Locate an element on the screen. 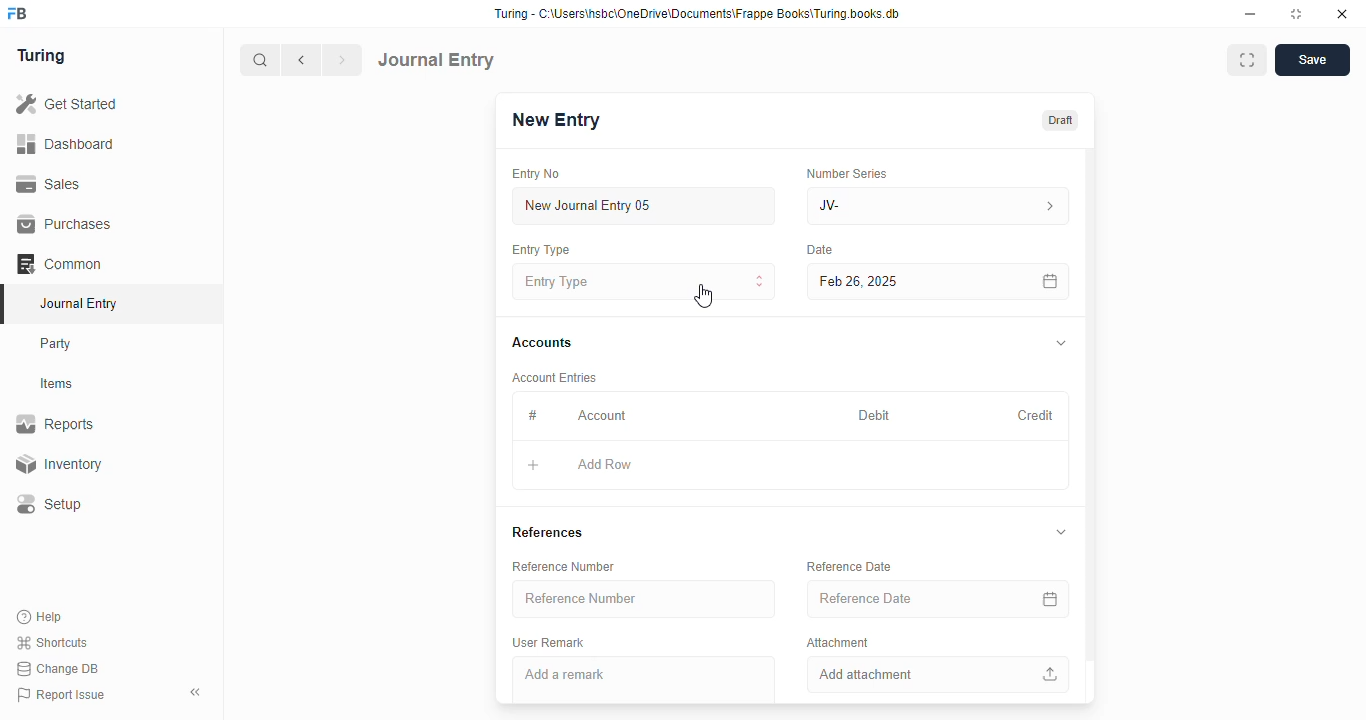  add row is located at coordinates (605, 465).